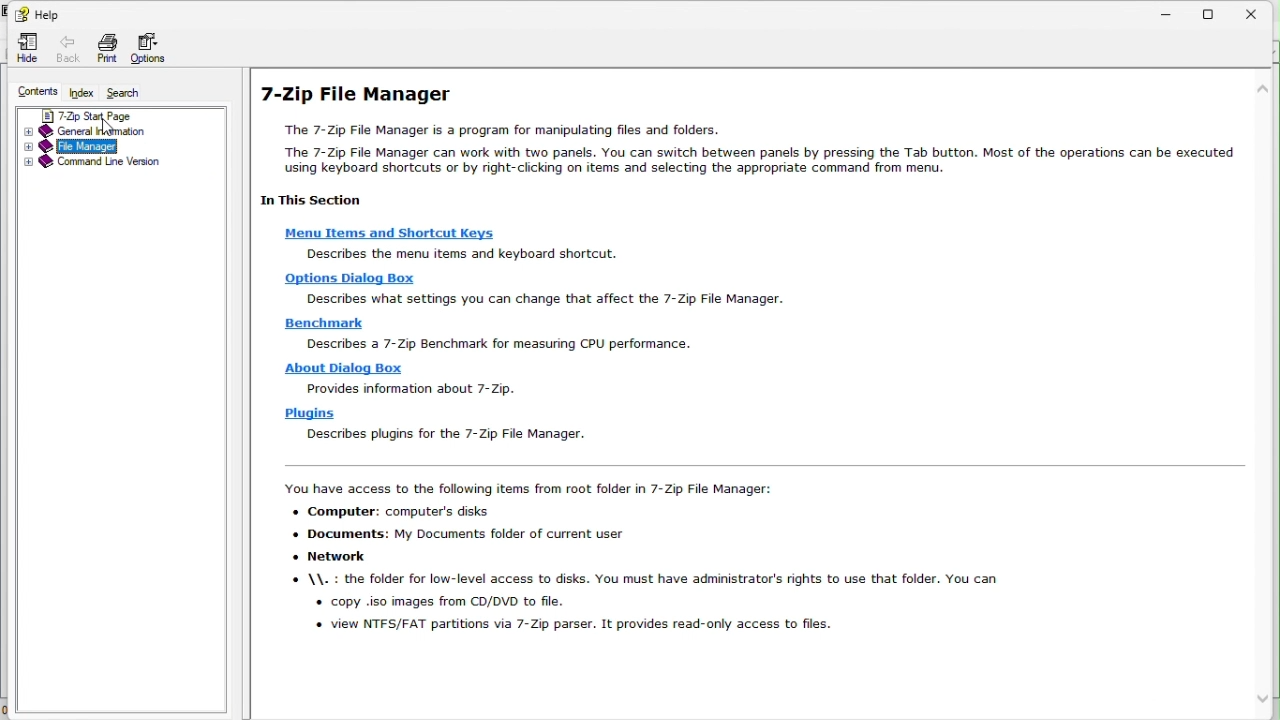  I want to click on You have access to the following items from root folder in 7-Zip File Manager:
+ Computer: computer's disks
+ Documents: My Documents folder of current user
« Network
 \\. : the folder for low-level access to disks. You must have administrator's rights to use that folder. You can
« copy .iso images from CD/DVD to file.
« view NTFS/FAT partitions via 7-Zip parser. It provides read-only access to files., so click(632, 560).